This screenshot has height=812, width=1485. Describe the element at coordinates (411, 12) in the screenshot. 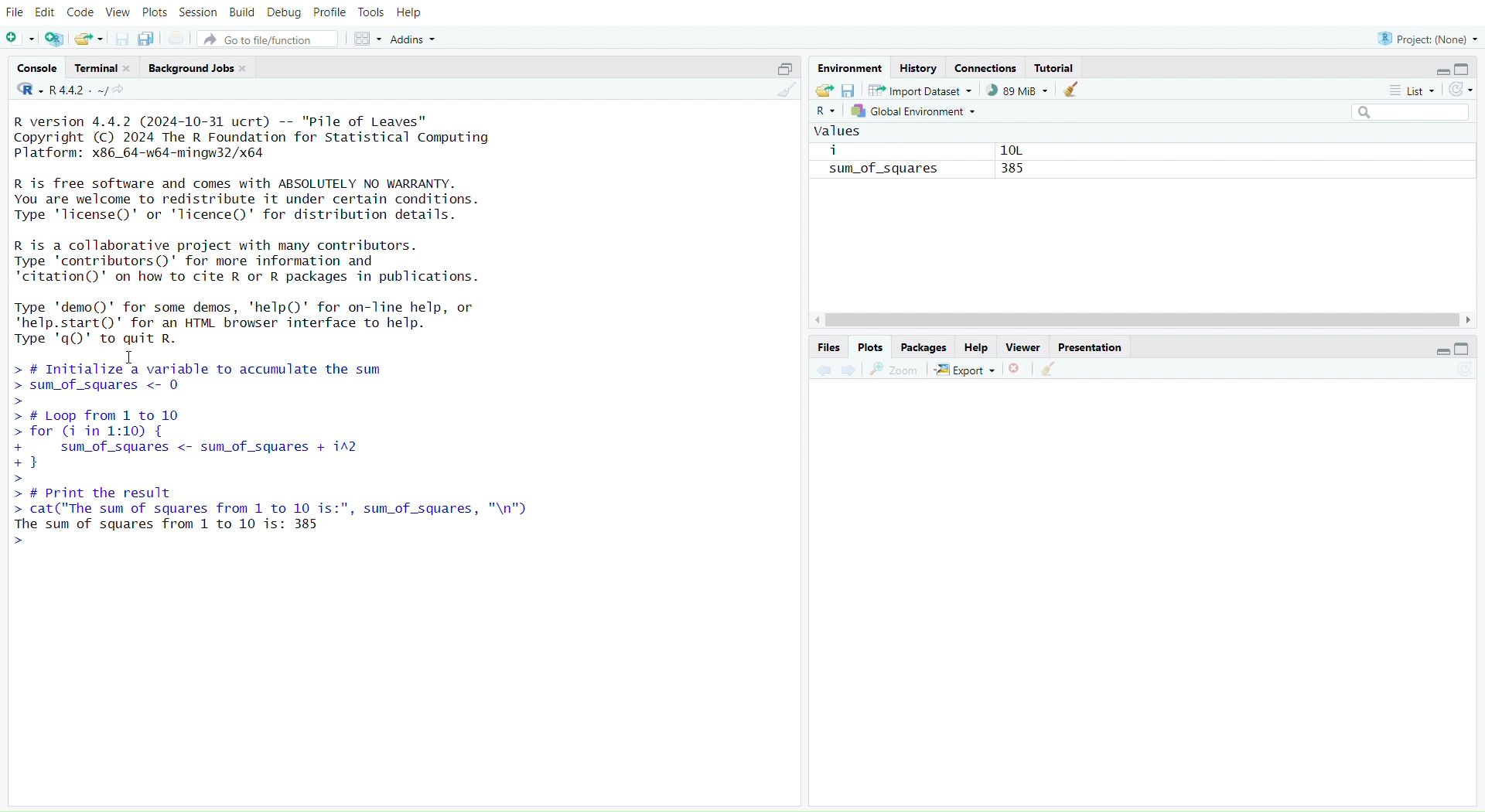

I see `help` at that location.